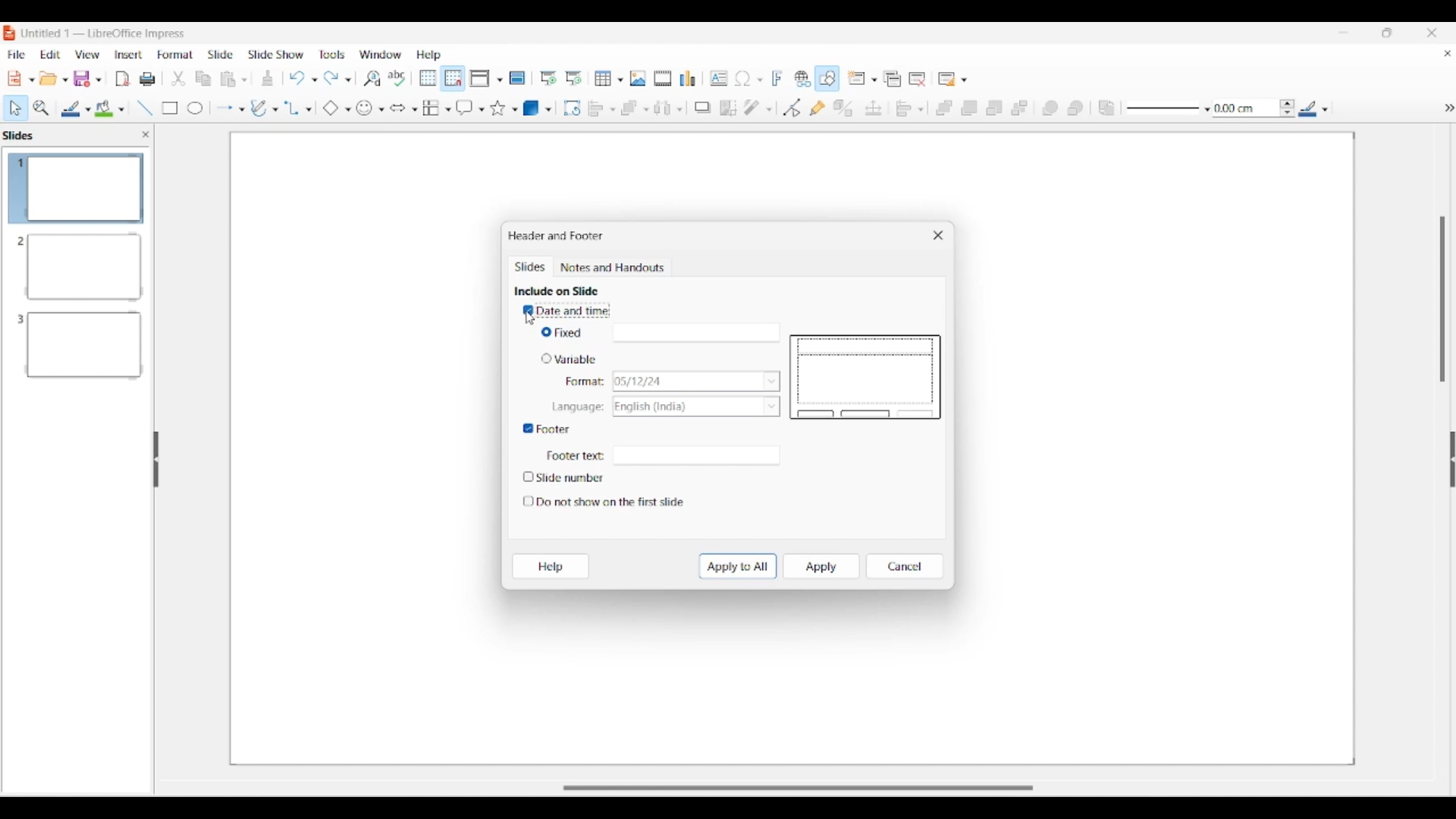 This screenshot has width=1456, height=819. Describe the element at coordinates (470, 108) in the screenshot. I see `Callout shape options` at that location.